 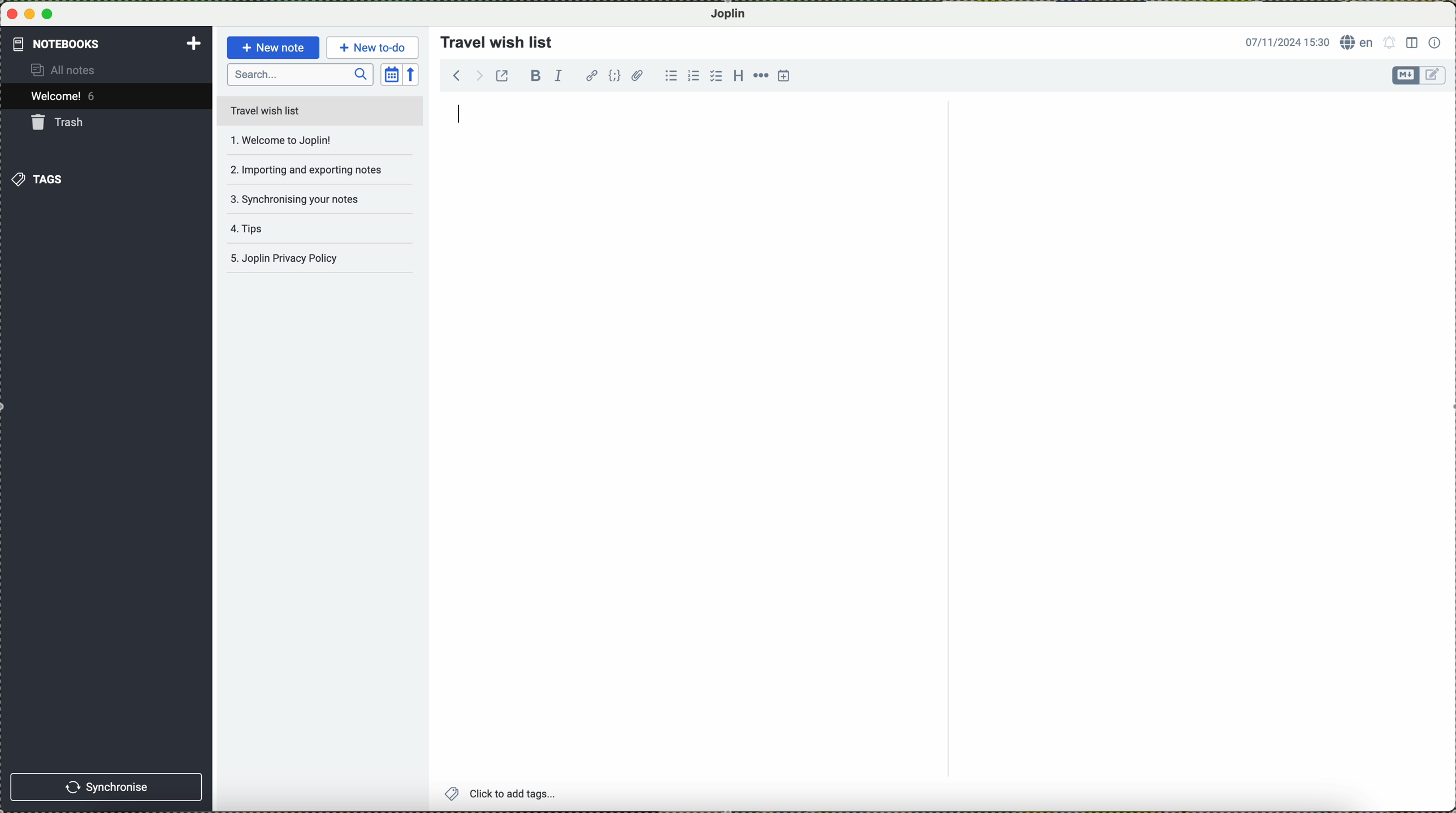 I want to click on welcome to joplin, so click(x=302, y=141).